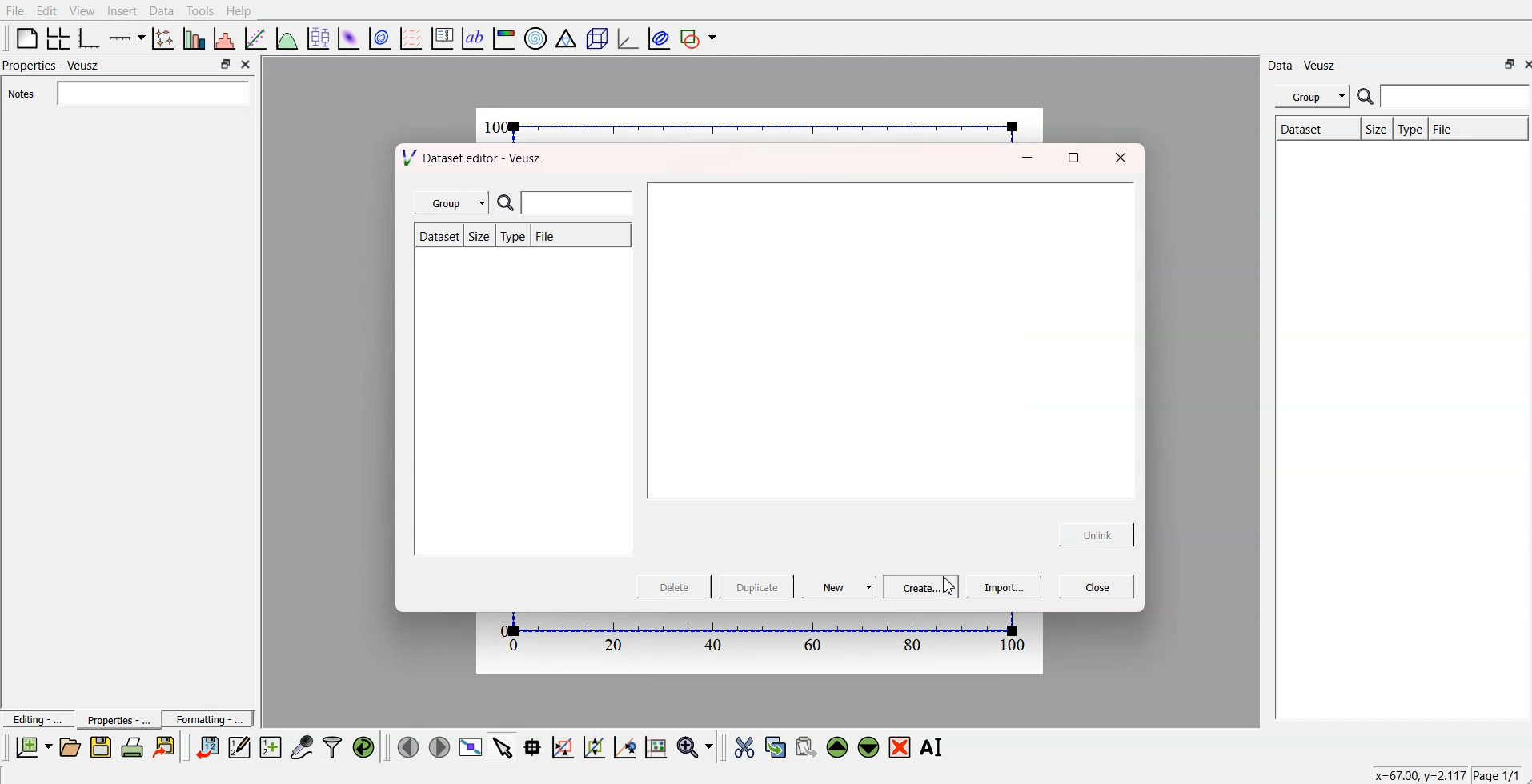  I want to click on copy, so click(777, 744).